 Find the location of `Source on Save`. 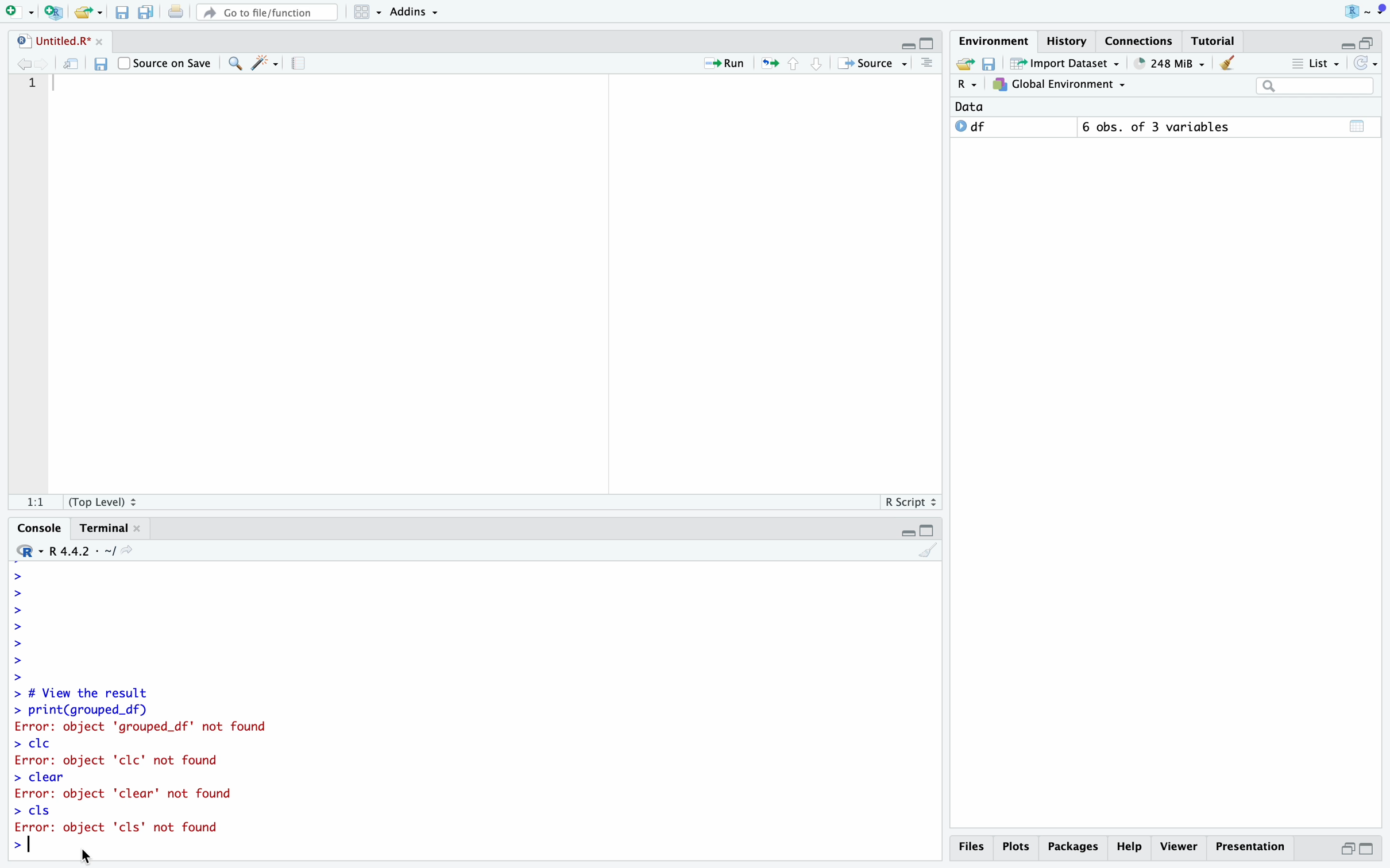

Source on Save is located at coordinates (163, 62).